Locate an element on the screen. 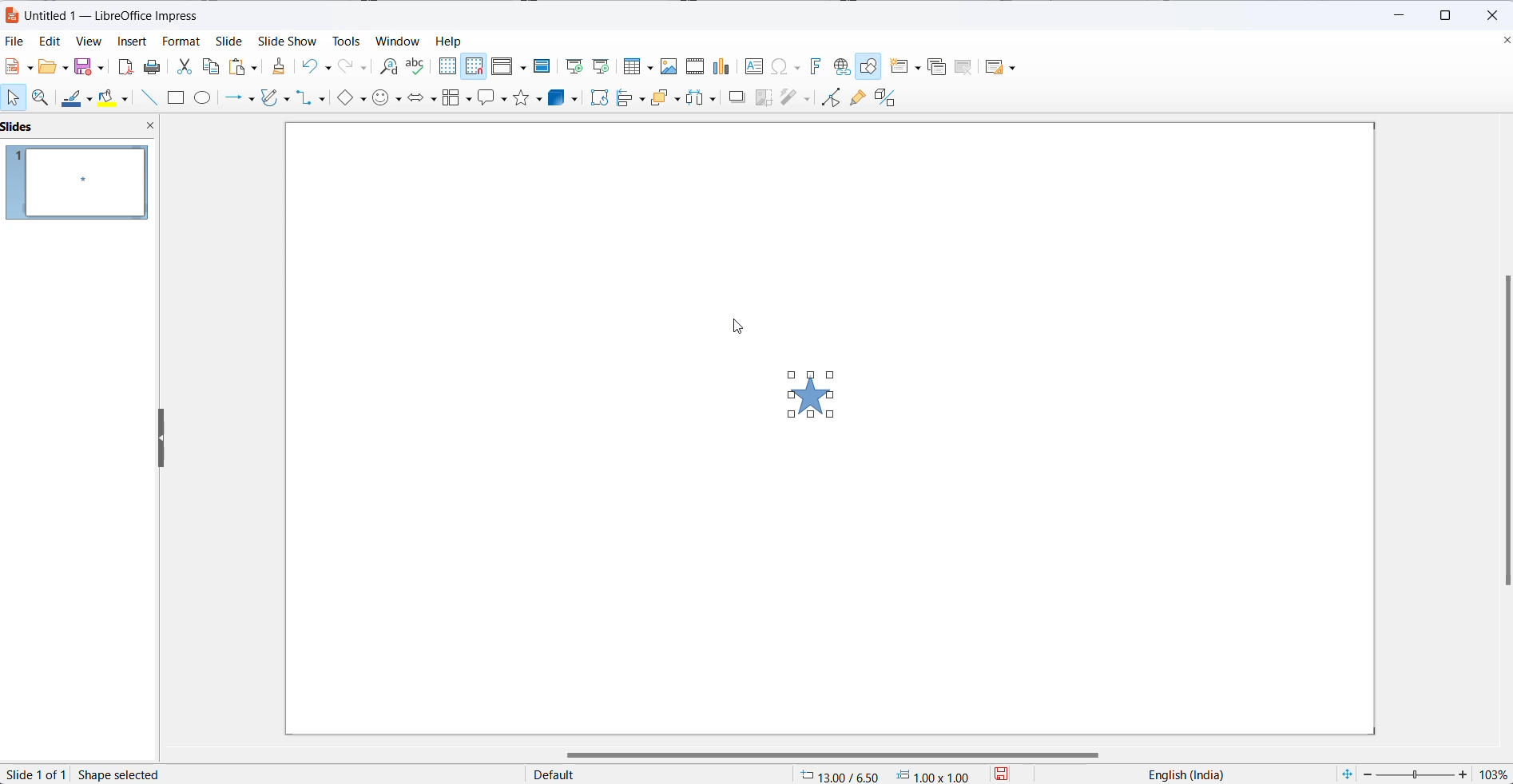 The height and width of the screenshot is (784, 1513). undo is located at coordinates (321, 65).